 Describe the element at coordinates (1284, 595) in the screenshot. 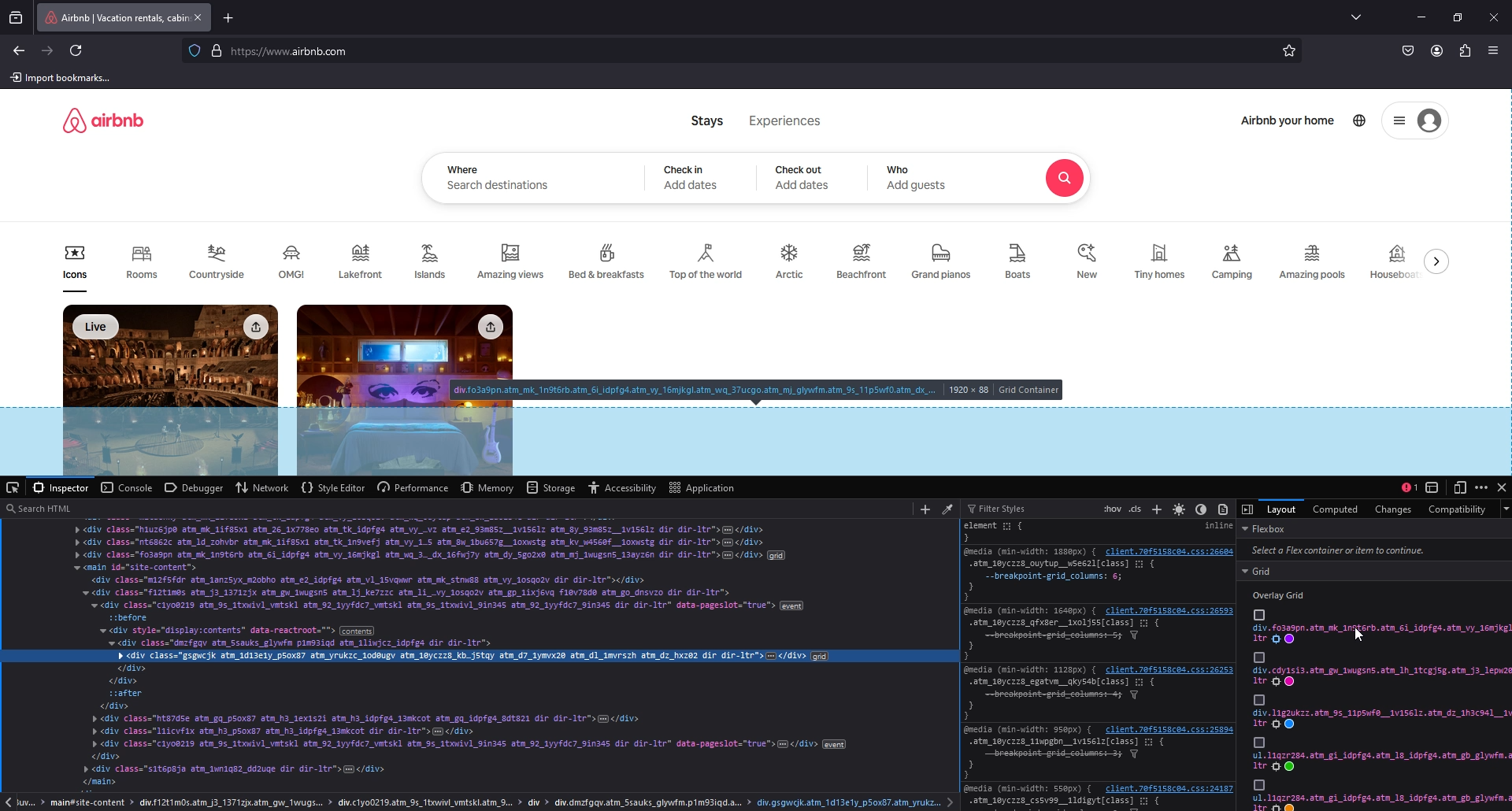

I see `overlay grid` at that location.